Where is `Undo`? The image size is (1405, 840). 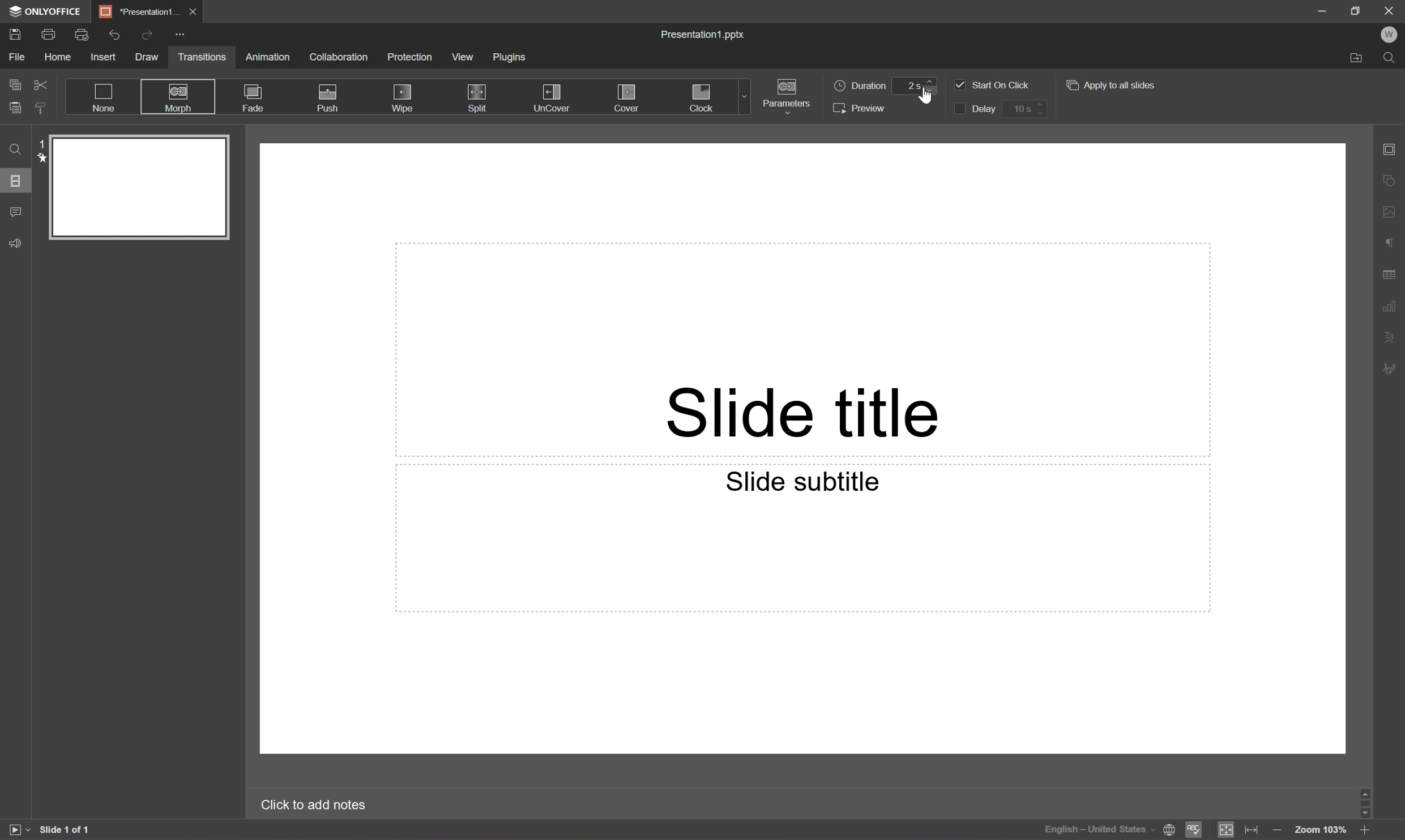 Undo is located at coordinates (114, 34).